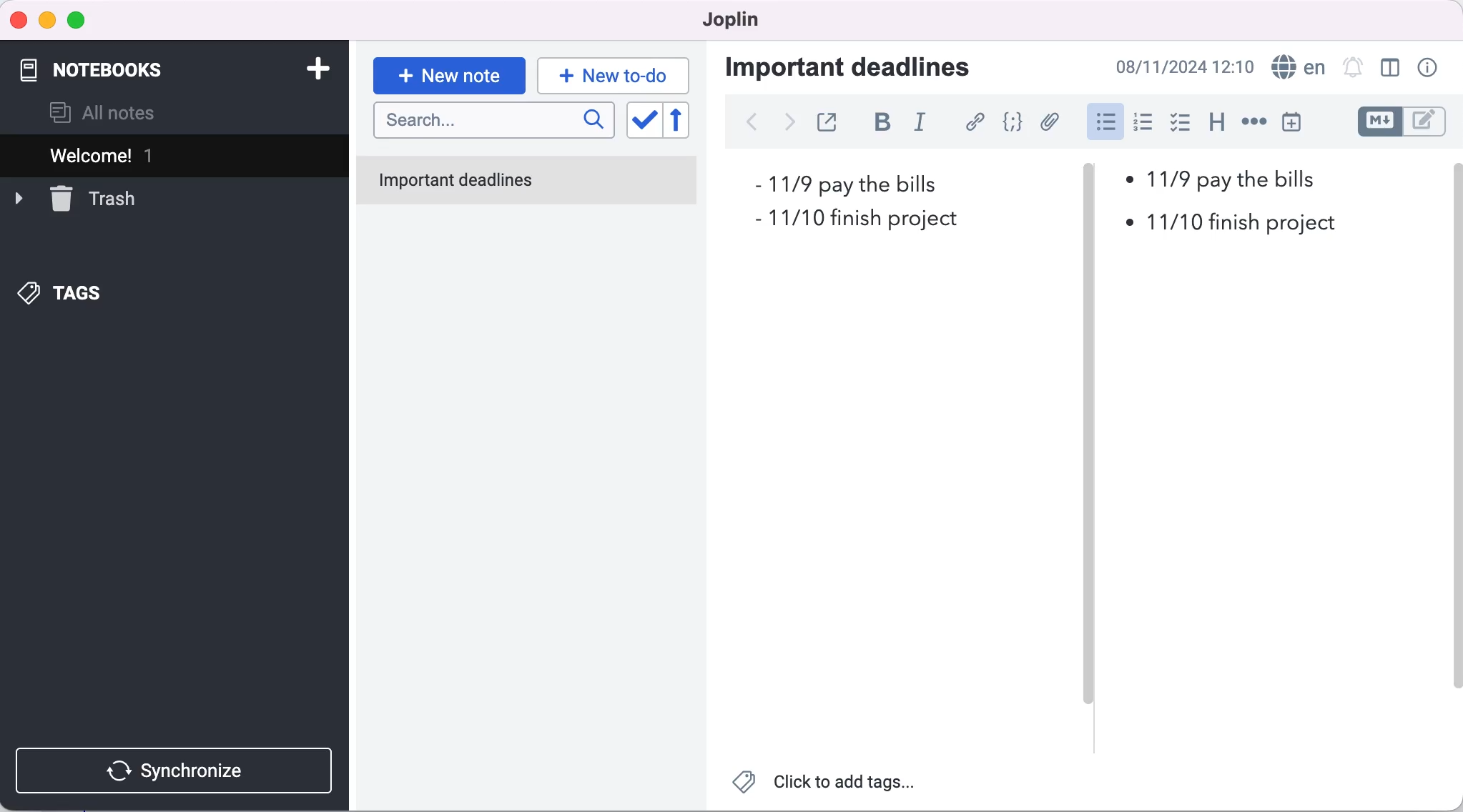 The height and width of the screenshot is (812, 1463). Describe the element at coordinates (19, 19) in the screenshot. I see `close` at that location.